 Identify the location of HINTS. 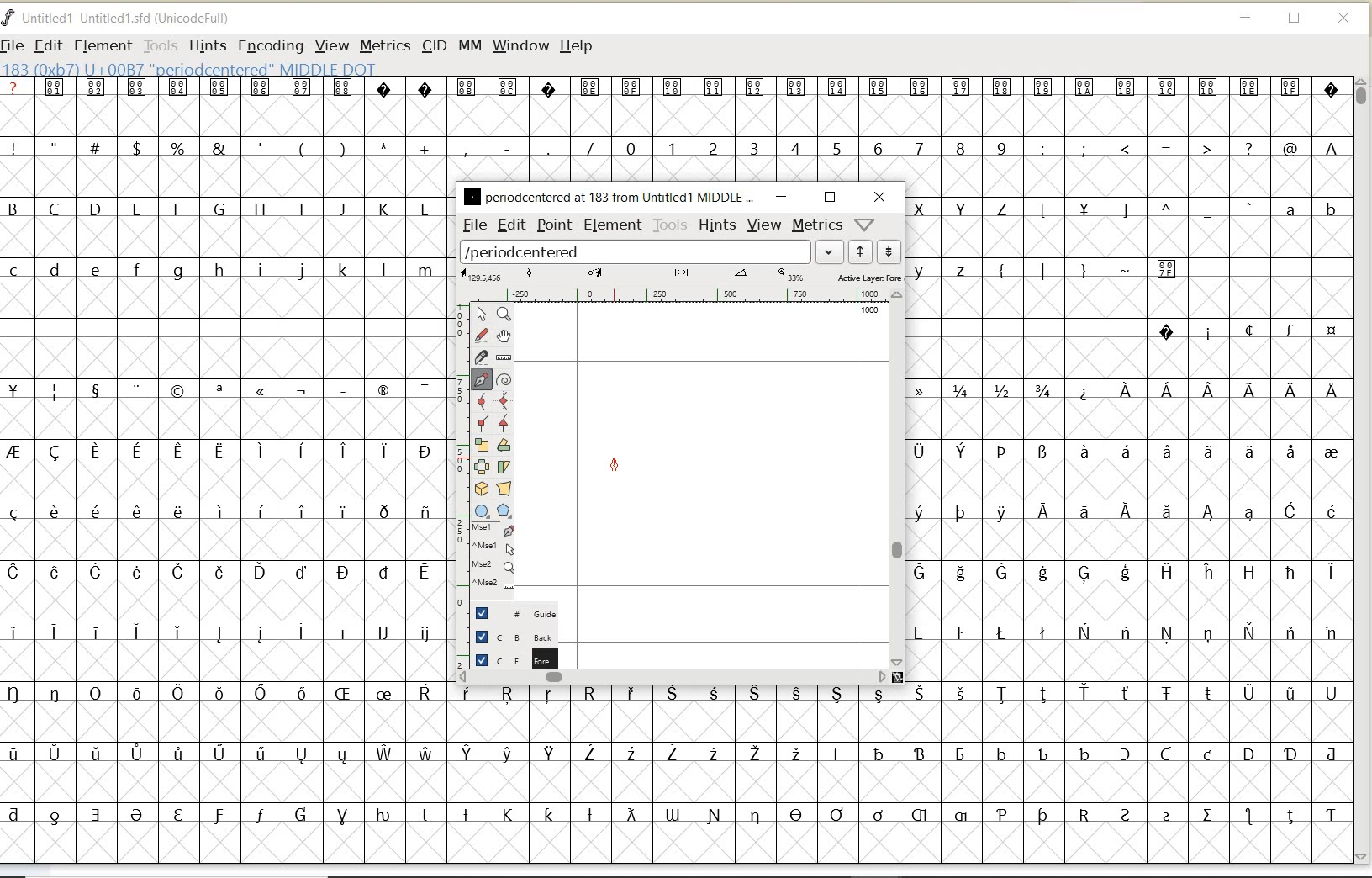
(206, 45).